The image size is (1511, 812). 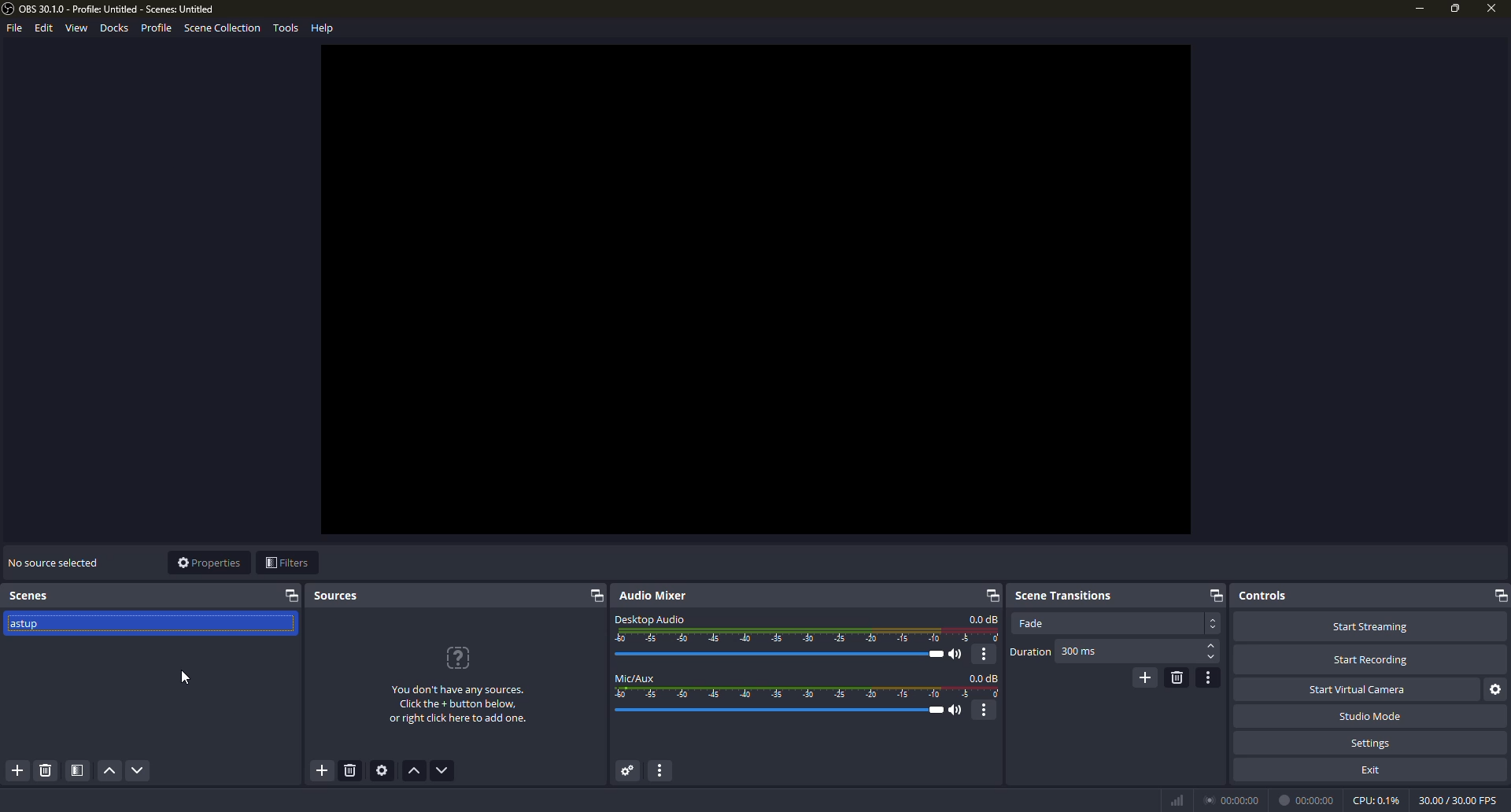 I want to click on scenes, so click(x=31, y=596).